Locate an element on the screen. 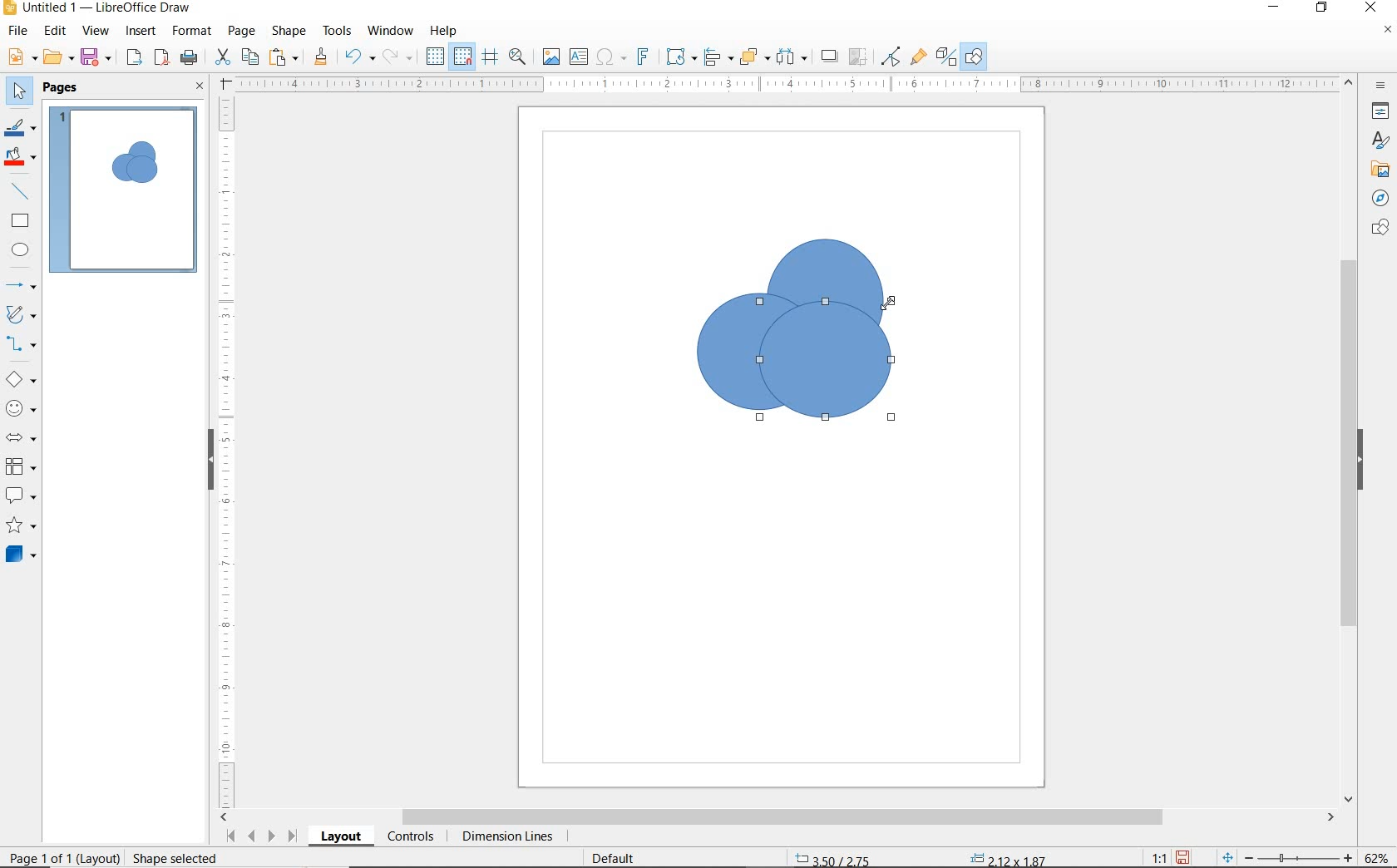  RULER is located at coordinates (228, 450).